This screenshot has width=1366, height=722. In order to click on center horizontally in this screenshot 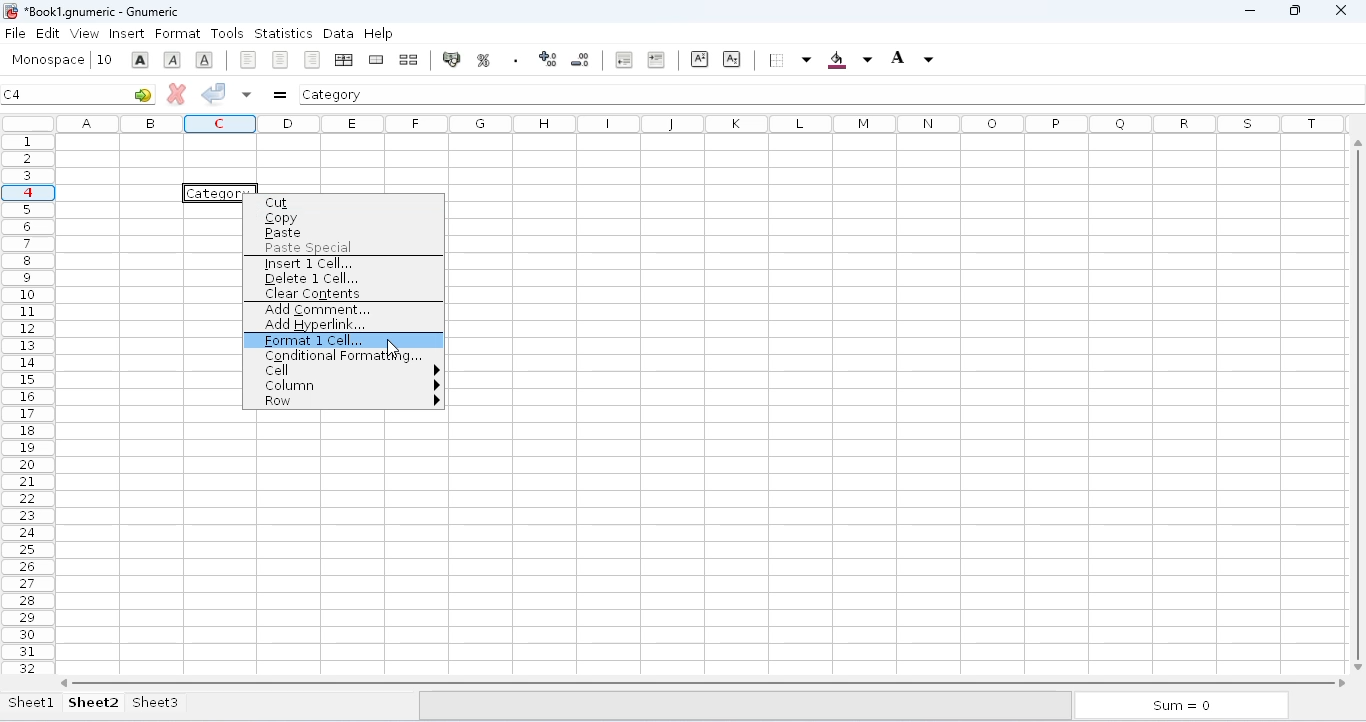, I will do `click(281, 60)`.